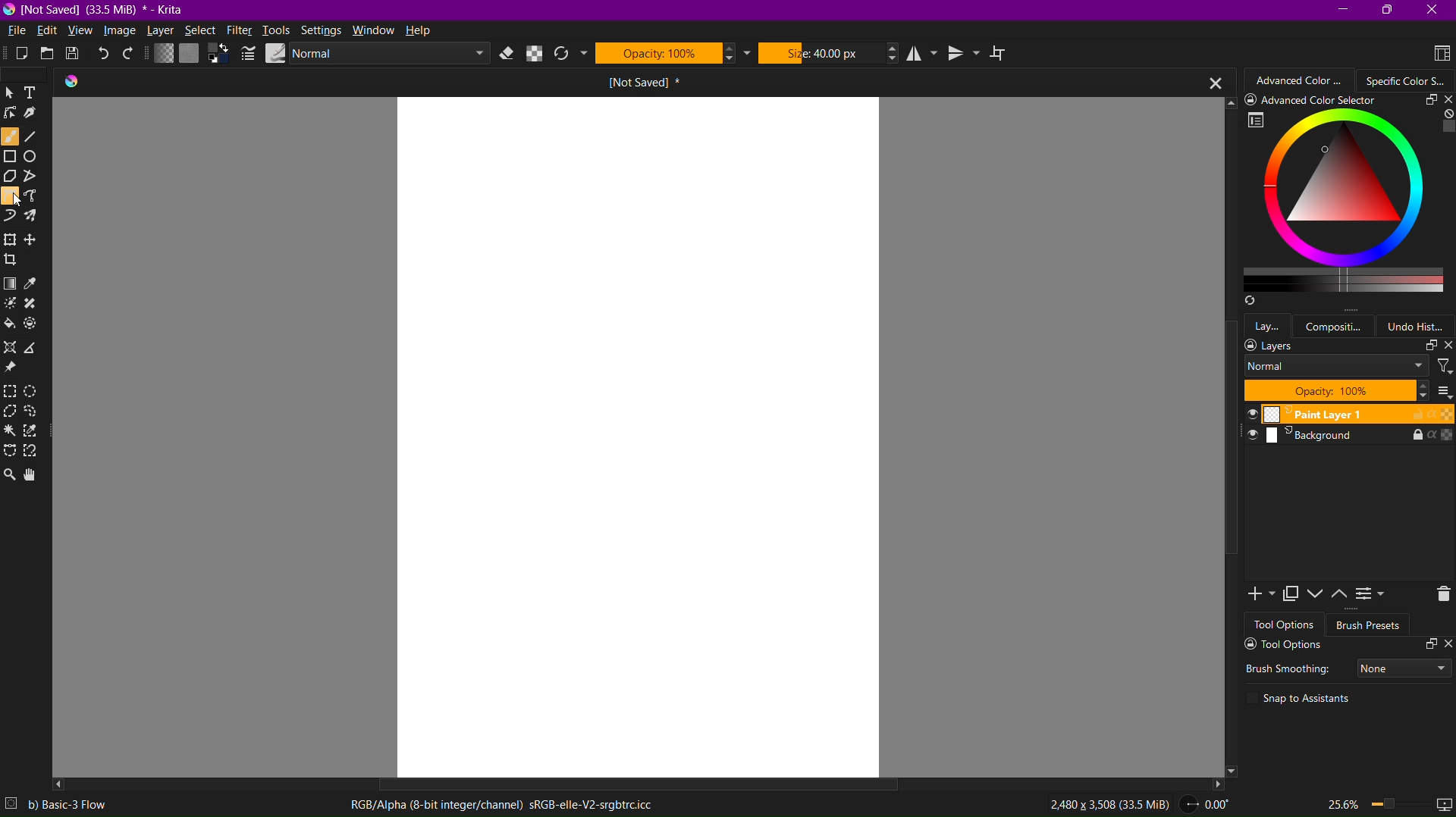 The width and height of the screenshot is (1456, 817). Describe the element at coordinates (508, 54) in the screenshot. I see `Set Eraser Mode` at that location.